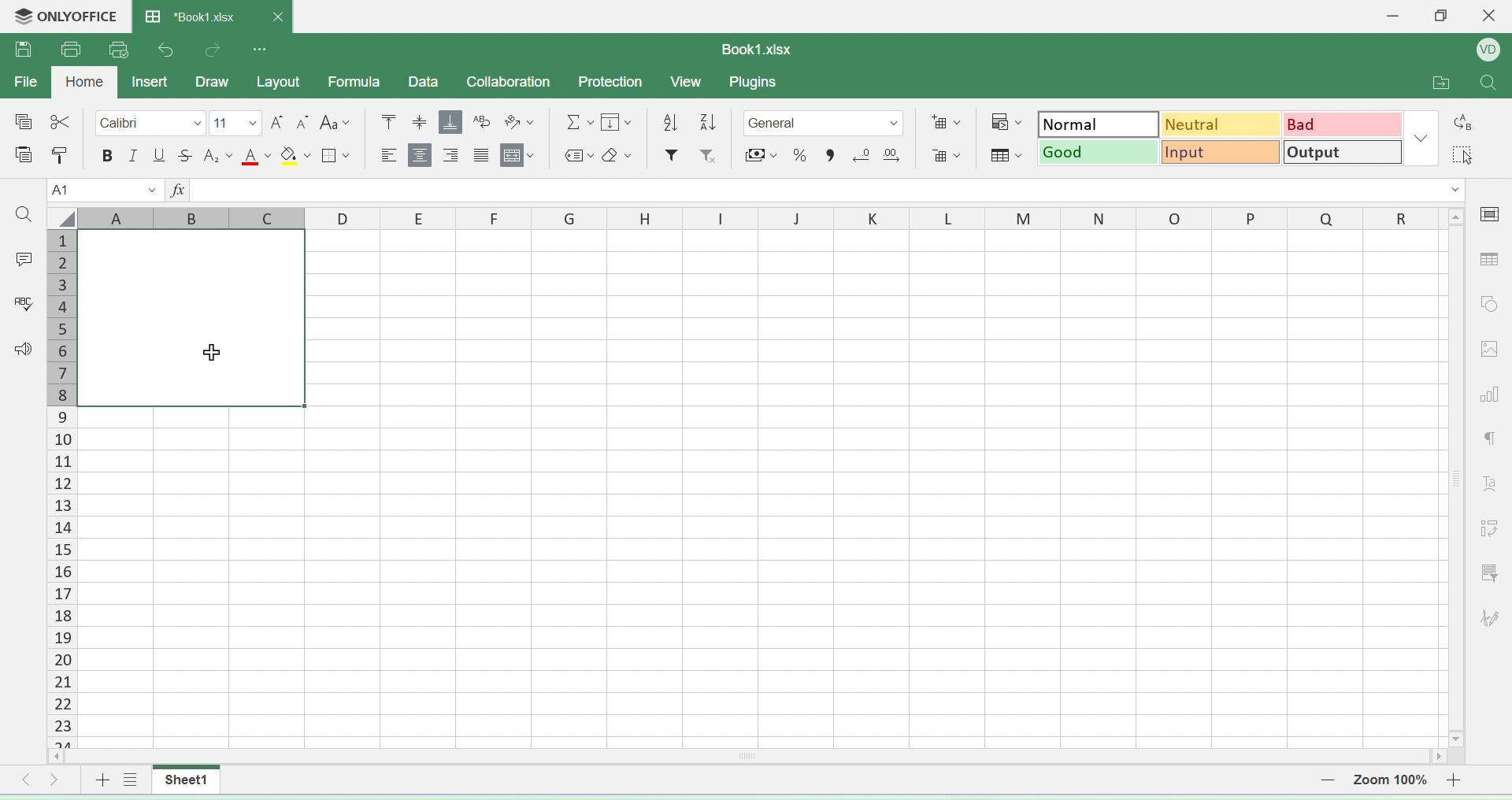  I want to click on shapes, so click(1490, 302).